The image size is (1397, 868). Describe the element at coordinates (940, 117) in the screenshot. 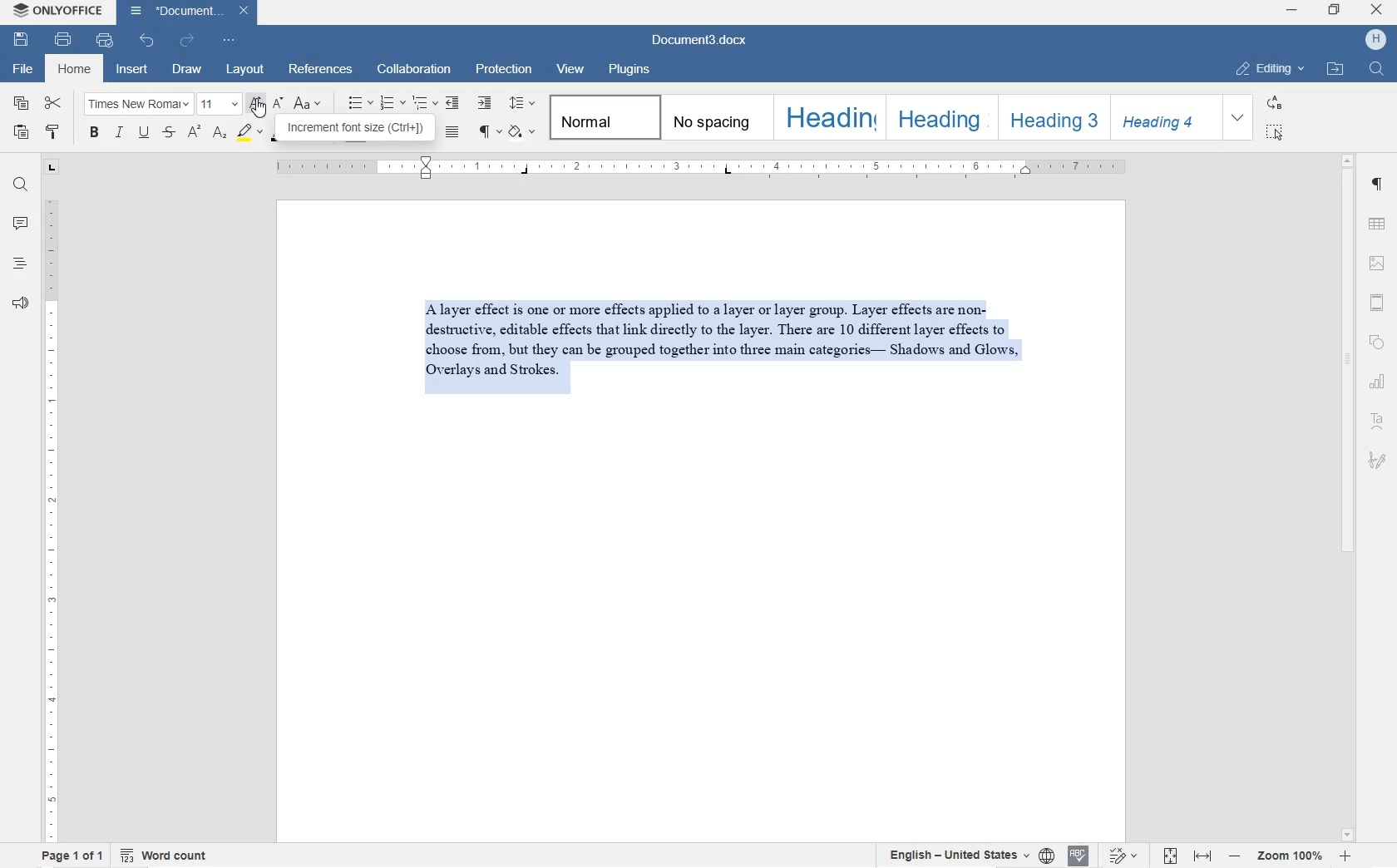

I see `HEADING 2` at that location.